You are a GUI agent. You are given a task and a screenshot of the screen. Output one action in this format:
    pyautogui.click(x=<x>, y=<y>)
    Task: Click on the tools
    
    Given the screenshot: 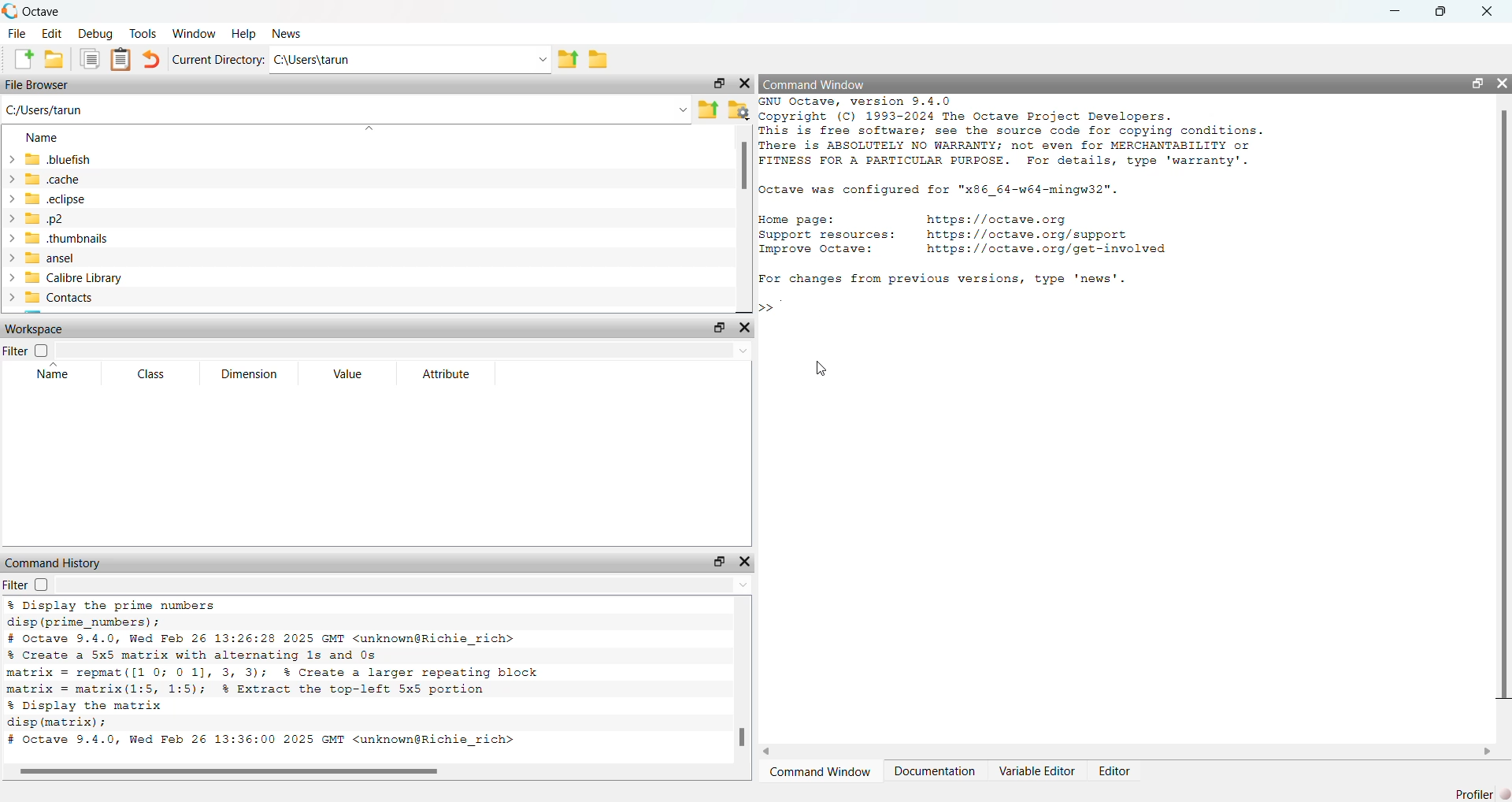 What is the action you would take?
    pyautogui.click(x=144, y=32)
    